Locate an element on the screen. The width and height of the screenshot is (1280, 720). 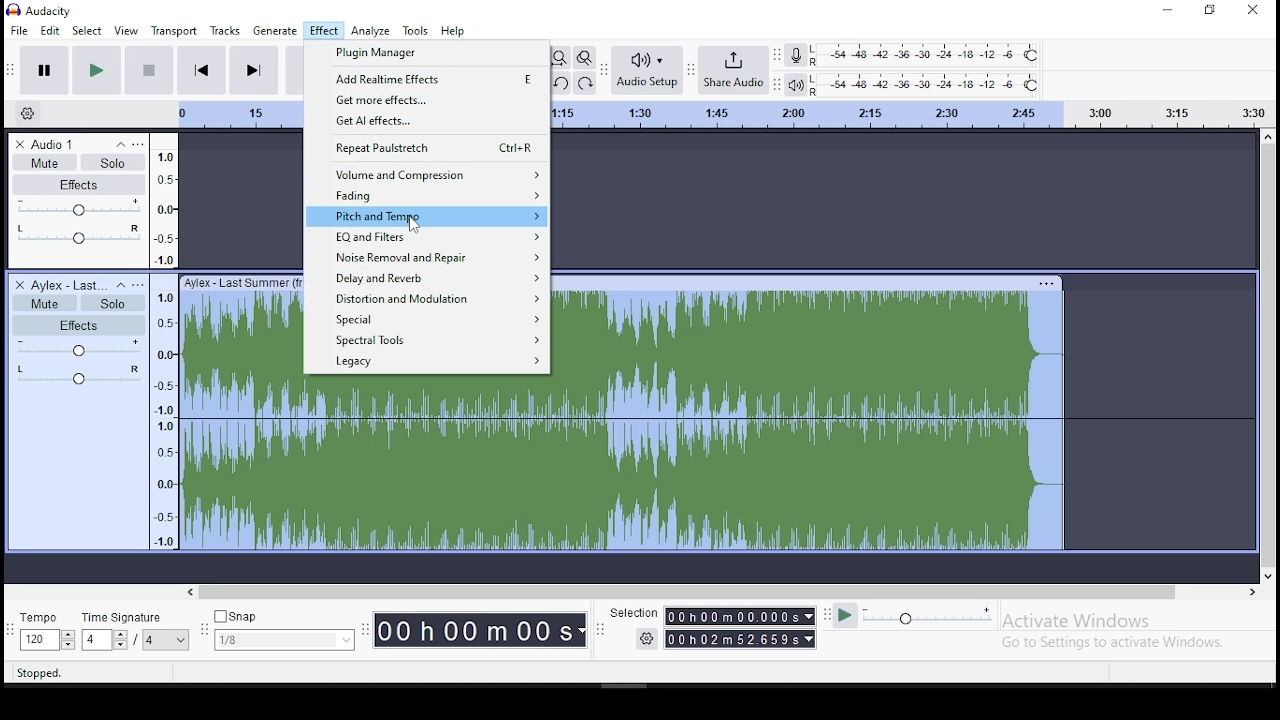
tempo is located at coordinates (46, 632).